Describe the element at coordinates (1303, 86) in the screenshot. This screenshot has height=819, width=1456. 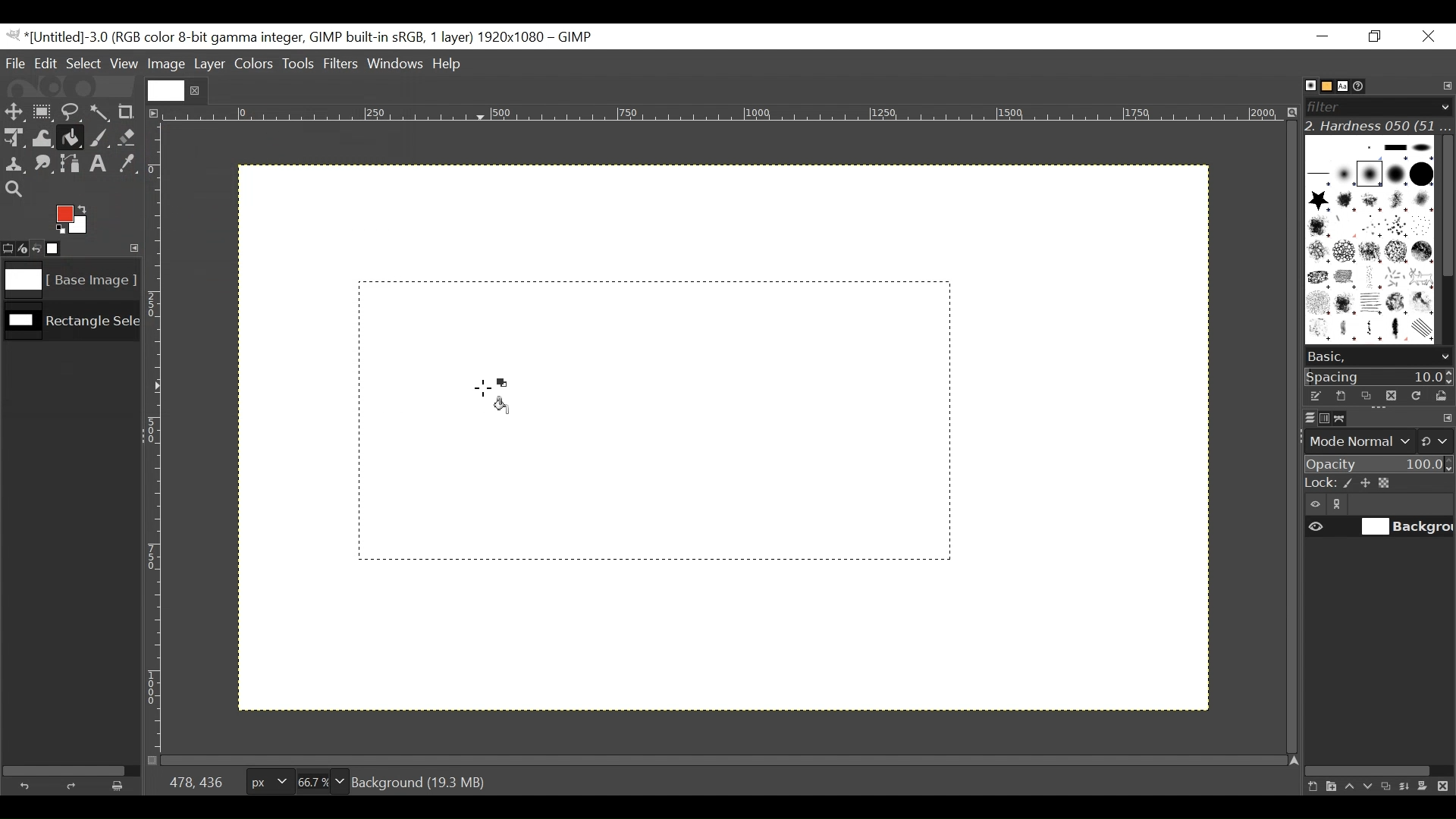
I see `Brushes` at that location.